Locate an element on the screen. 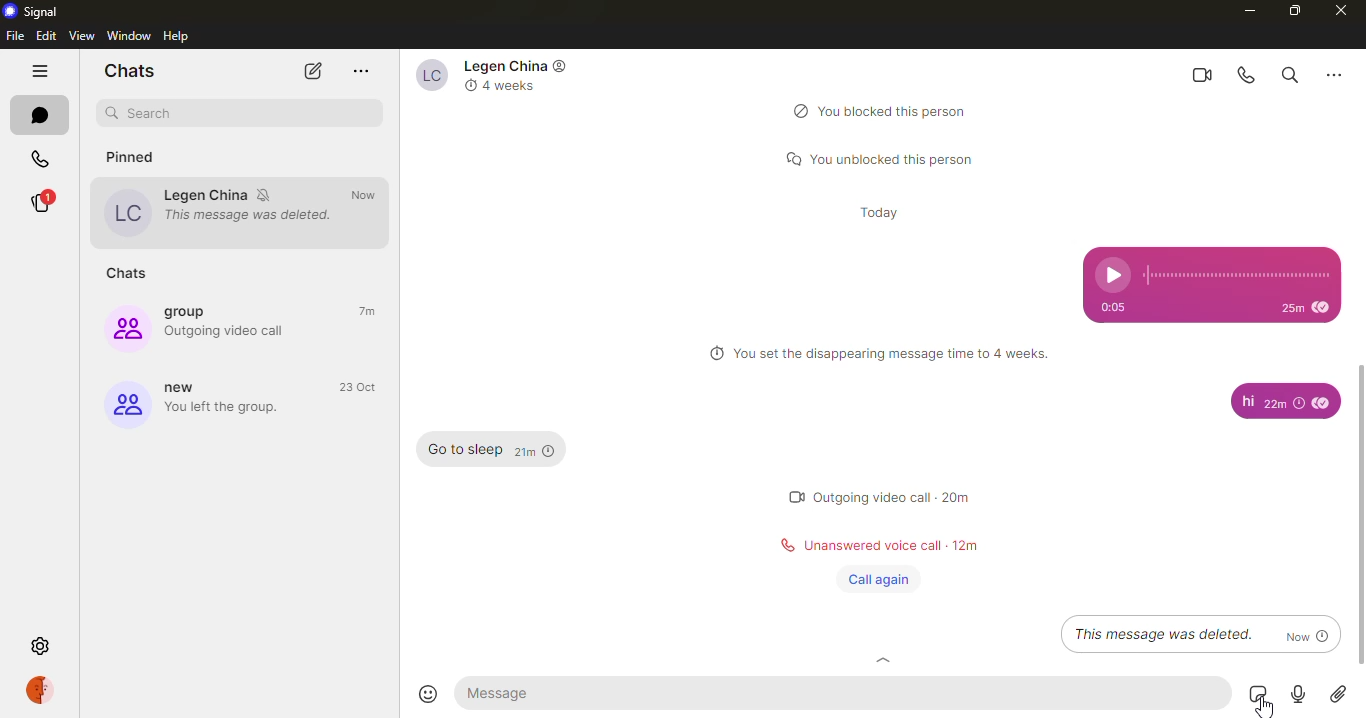  search is located at coordinates (147, 114).